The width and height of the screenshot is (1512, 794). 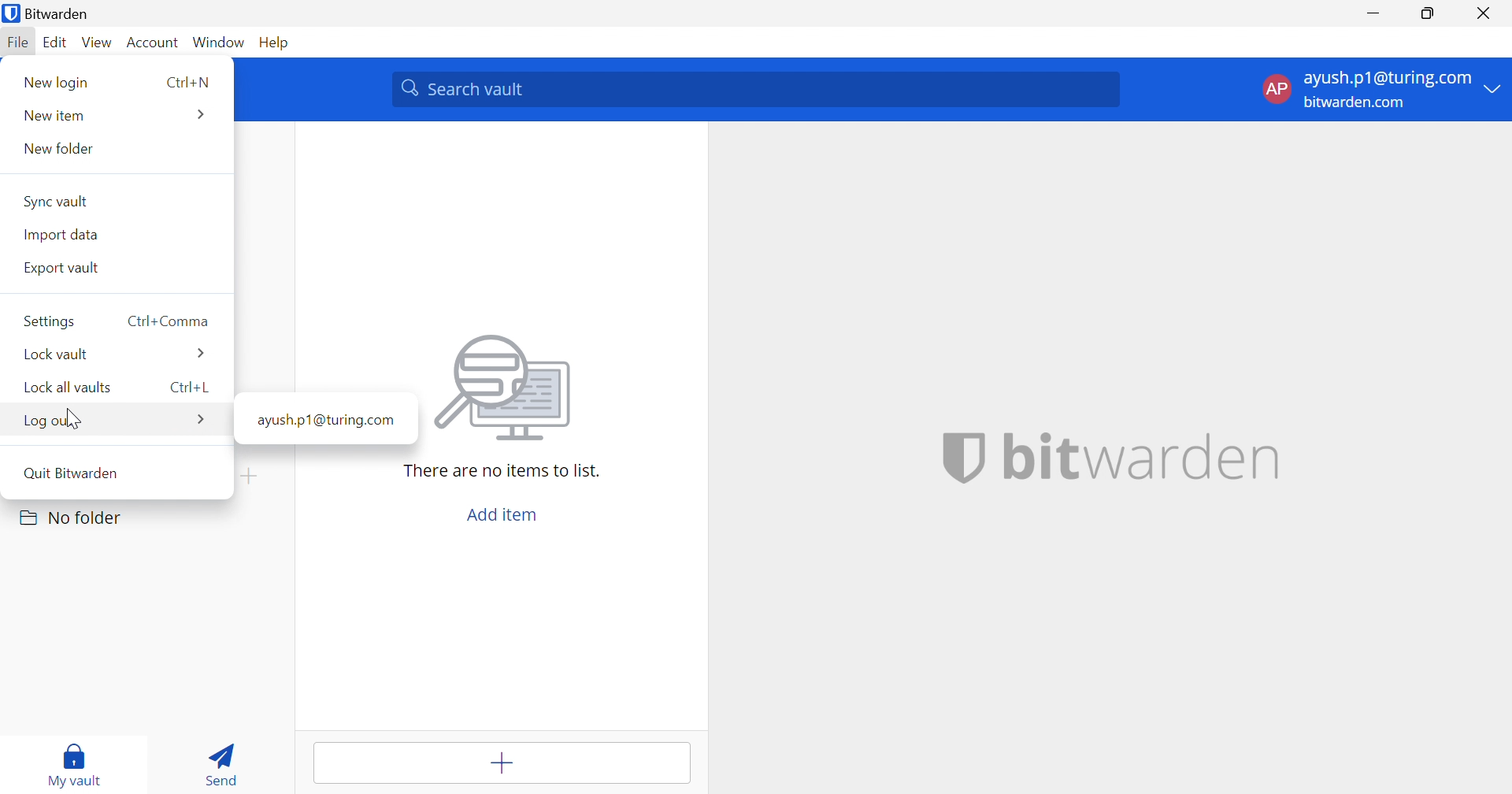 I want to click on More, so click(x=202, y=114).